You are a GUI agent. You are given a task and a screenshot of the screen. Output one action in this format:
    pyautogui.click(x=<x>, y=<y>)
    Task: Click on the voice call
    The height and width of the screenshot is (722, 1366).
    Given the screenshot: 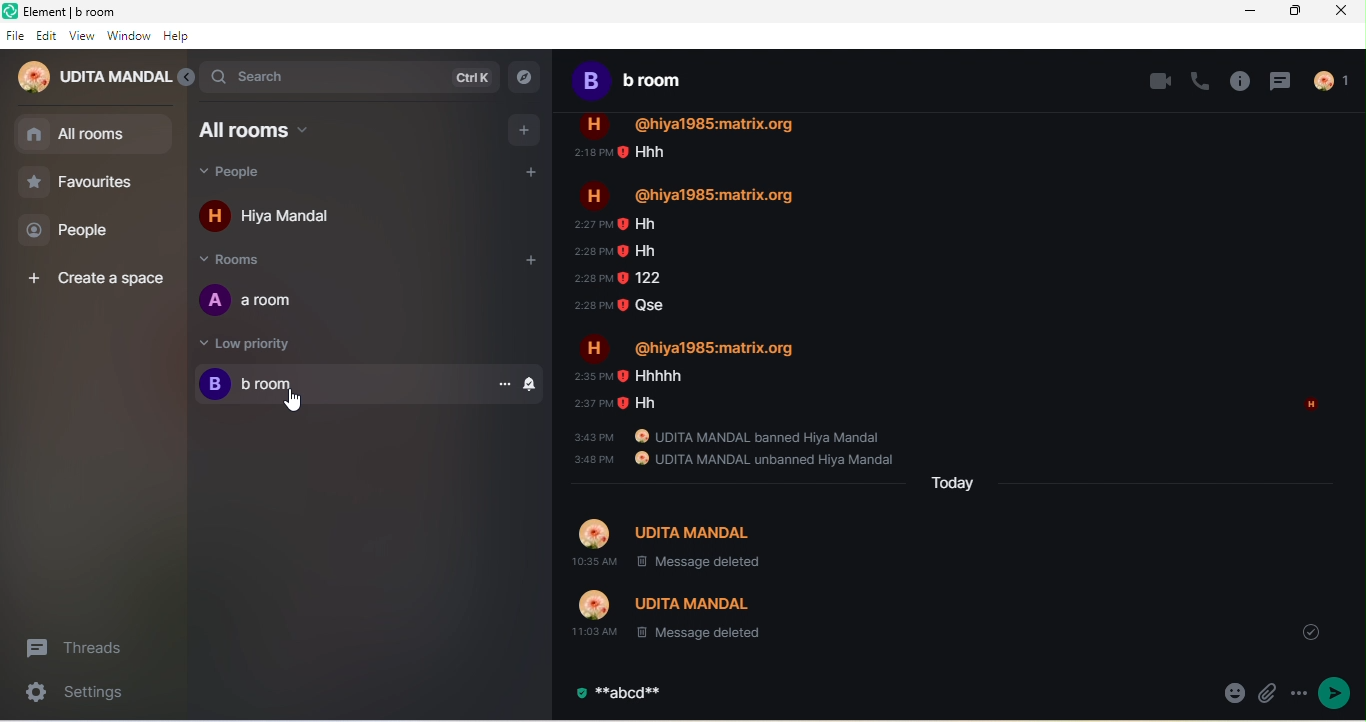 What is the action you would take?
    pyautogui.click(x=1201, y=80)
    